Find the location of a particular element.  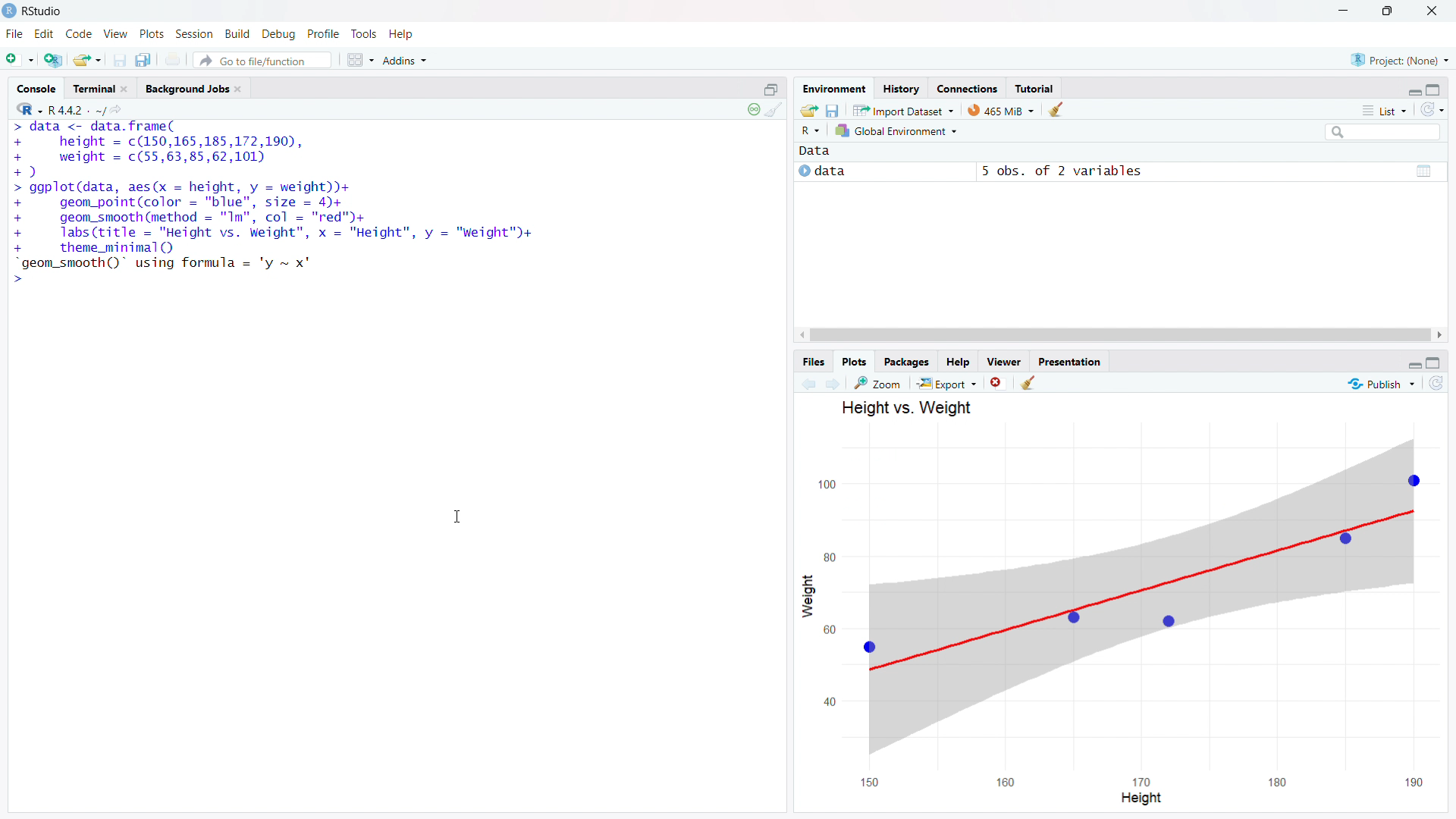

> ggplot(data, aes(x = height, y = weight))+ + geom_point(color — "HI", size = 4)+ + geom_smooth (method = "In", col — '[E")+ + Tabs(title = "Height vs. Weight", x = "Height", y = "Weight")+ + theme_minimal() is located at coordinates (275, 218).